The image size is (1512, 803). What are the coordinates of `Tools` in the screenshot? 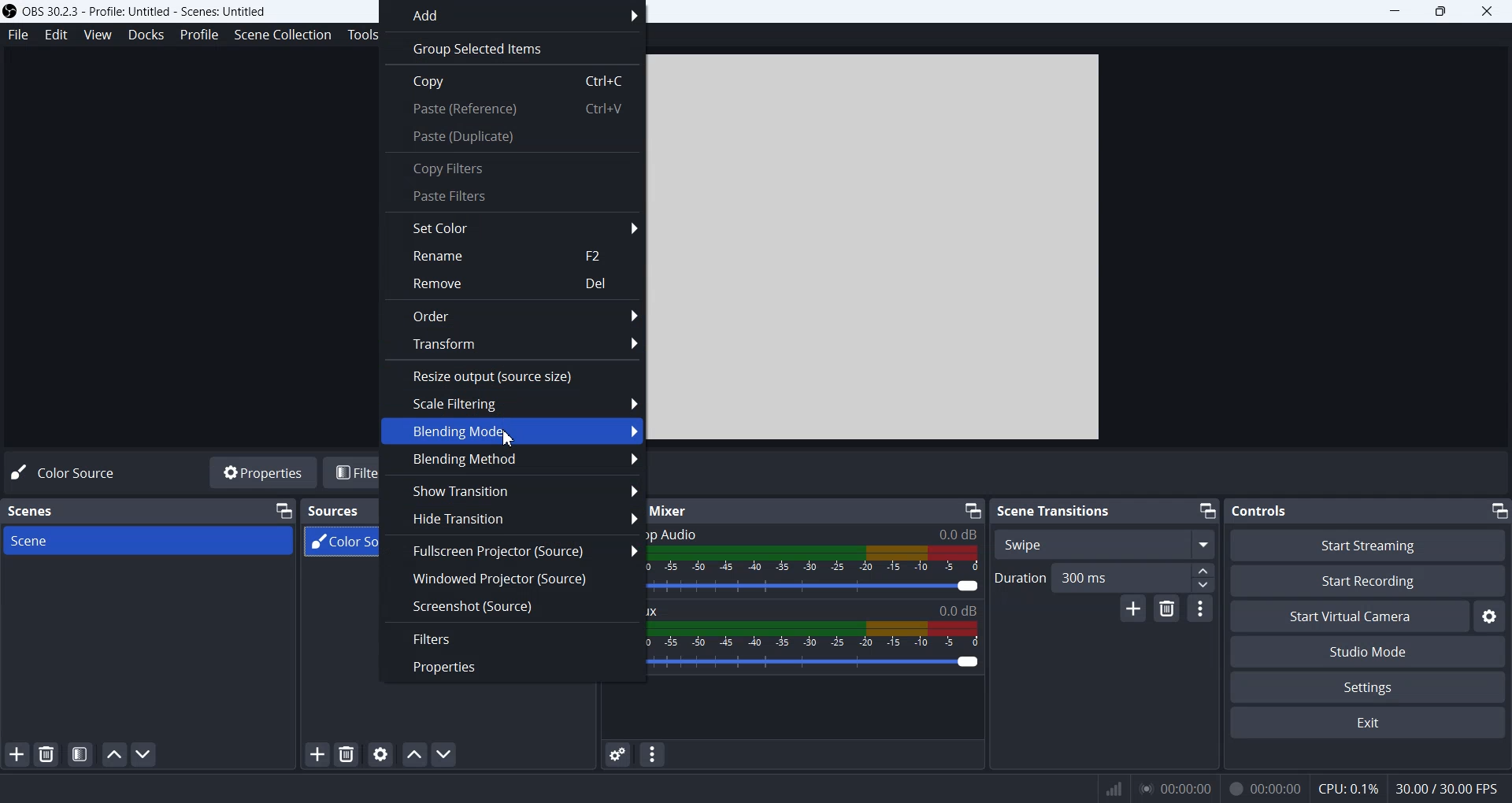 It's located at (359, 34).